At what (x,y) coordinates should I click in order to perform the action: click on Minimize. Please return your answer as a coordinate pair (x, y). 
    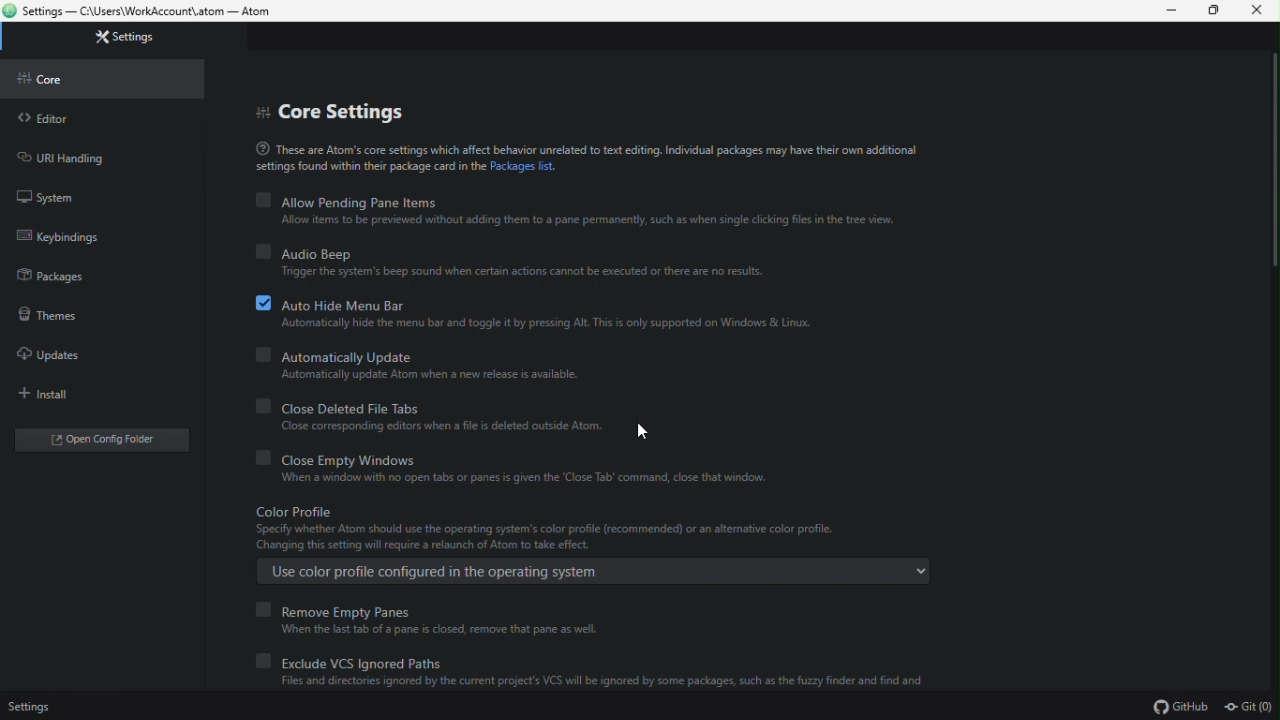
    Looking at the image, I should click on (1173, 11).